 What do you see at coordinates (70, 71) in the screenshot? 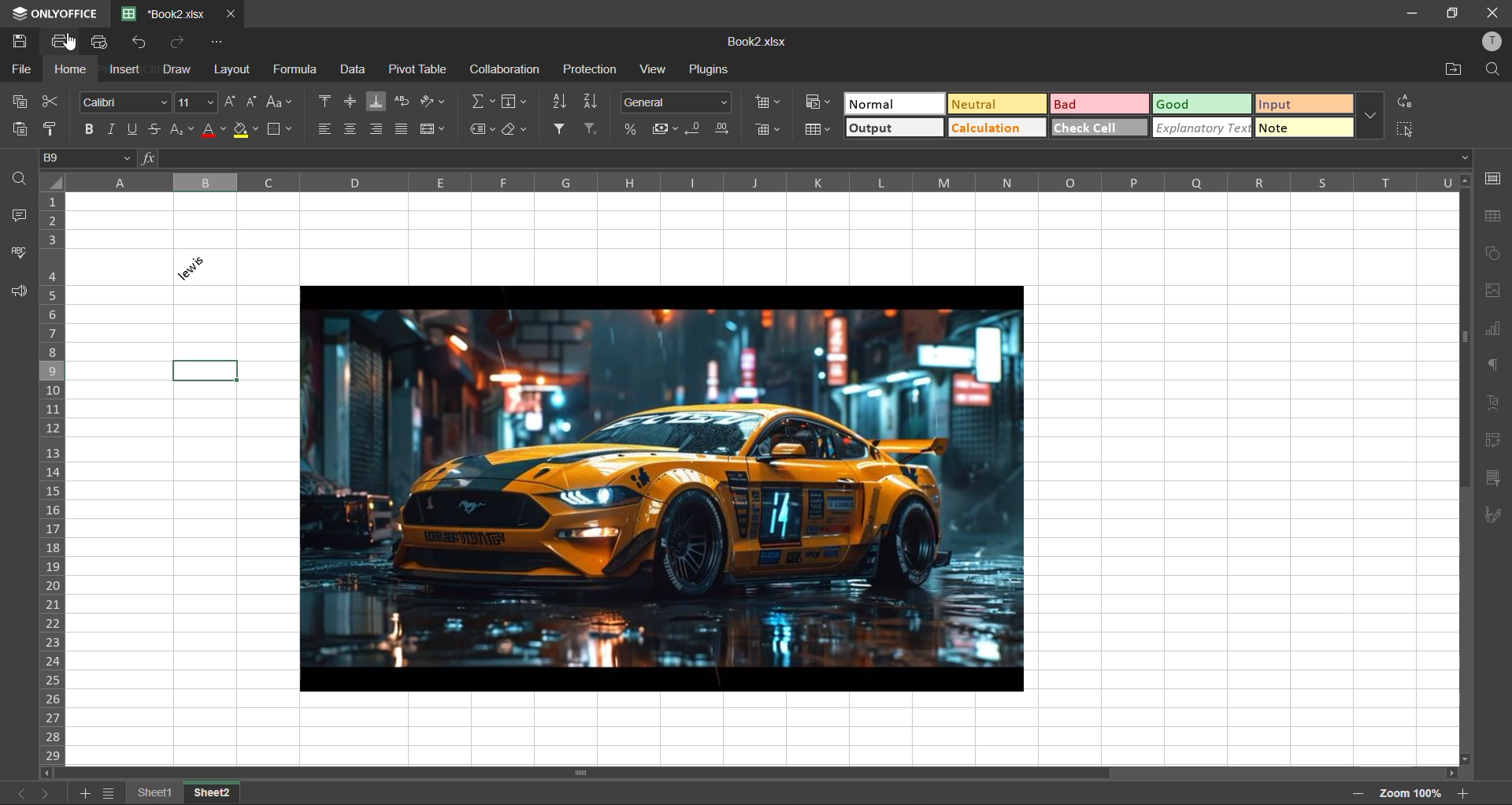
I see `home` at bounding box center [70, 71].